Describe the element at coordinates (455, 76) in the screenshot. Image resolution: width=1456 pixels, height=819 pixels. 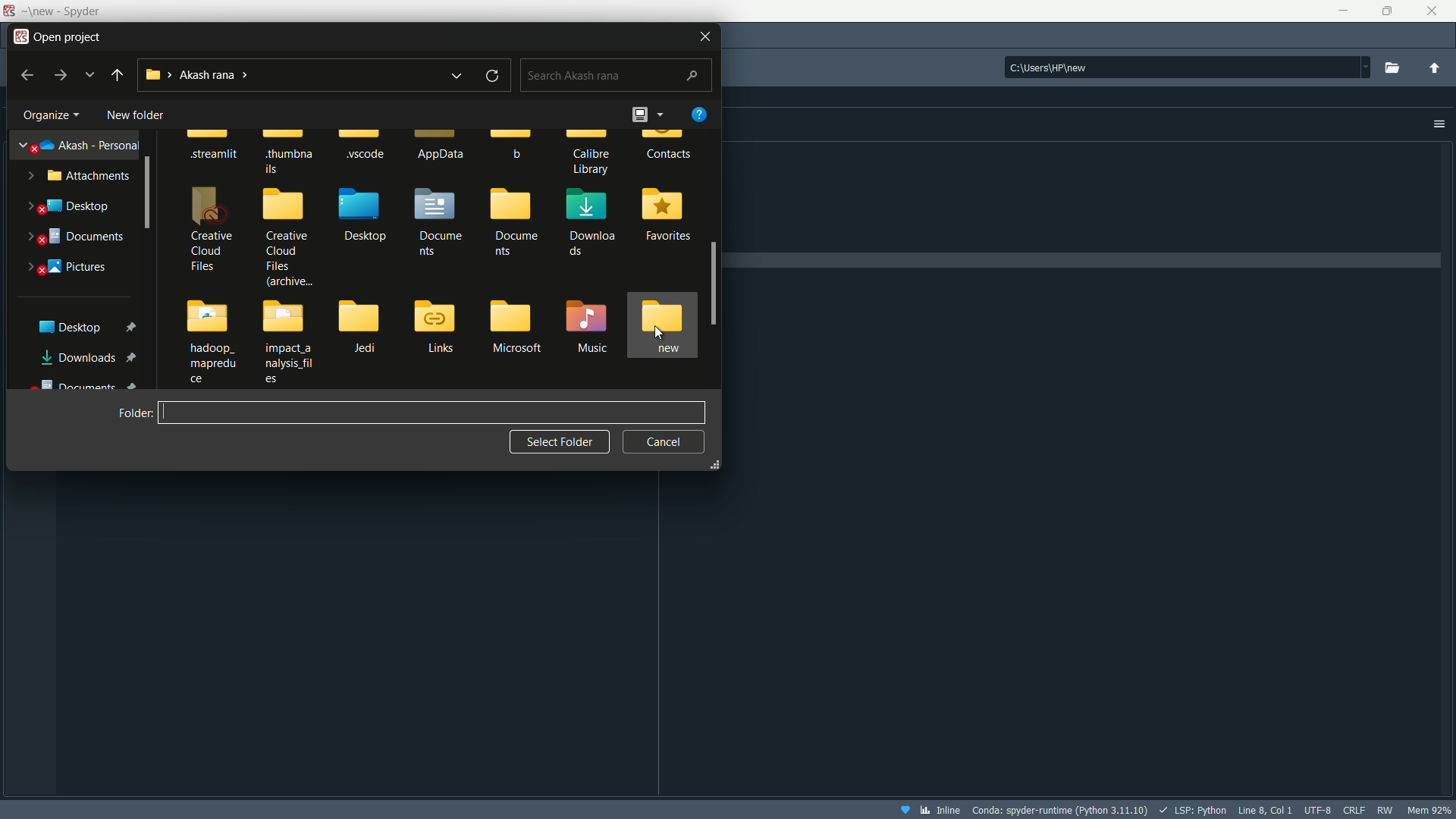
I see `recent locations` at that location.